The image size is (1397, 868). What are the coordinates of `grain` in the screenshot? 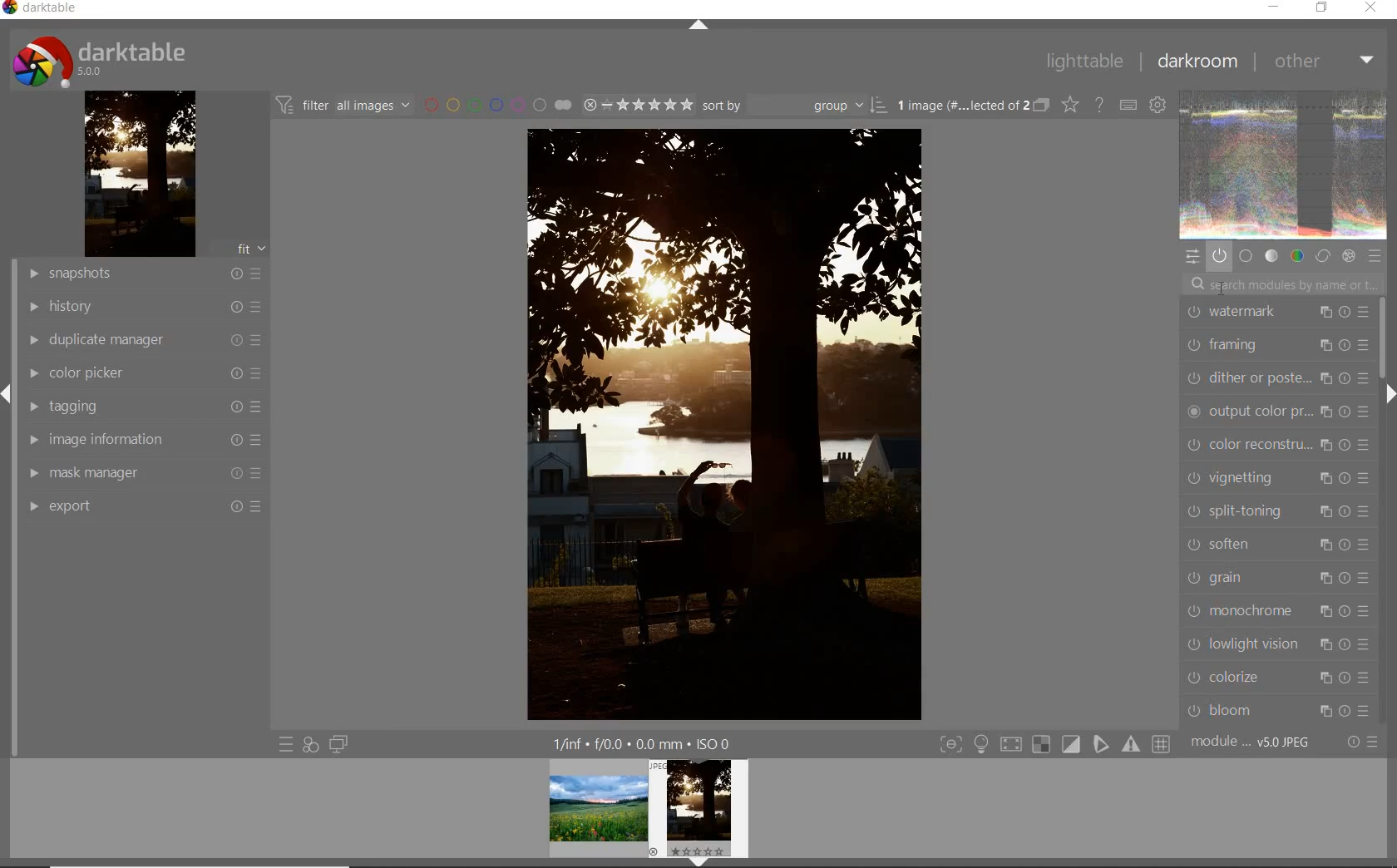 It's located at (1278, 578).